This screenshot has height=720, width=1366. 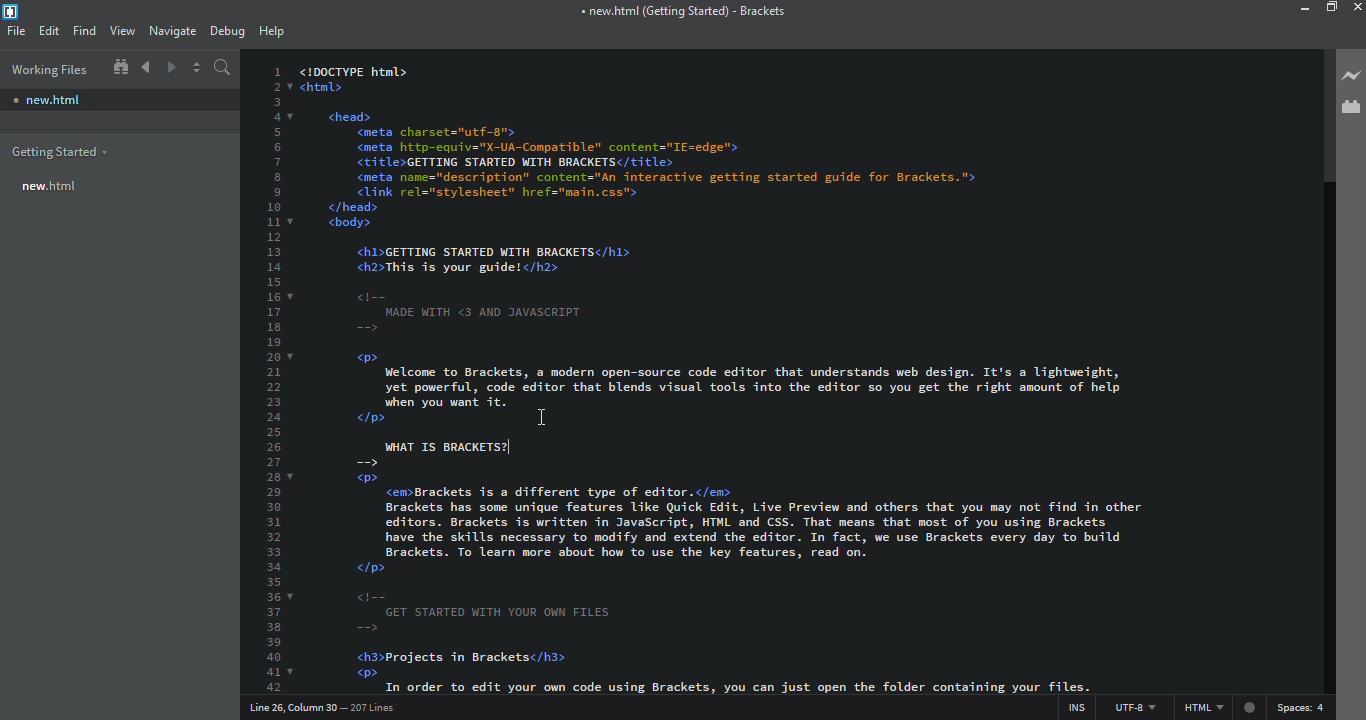 What do you see at coordinates (1219, 709) in the screenshot?
I see `html` at bounding box center [1219, 709].